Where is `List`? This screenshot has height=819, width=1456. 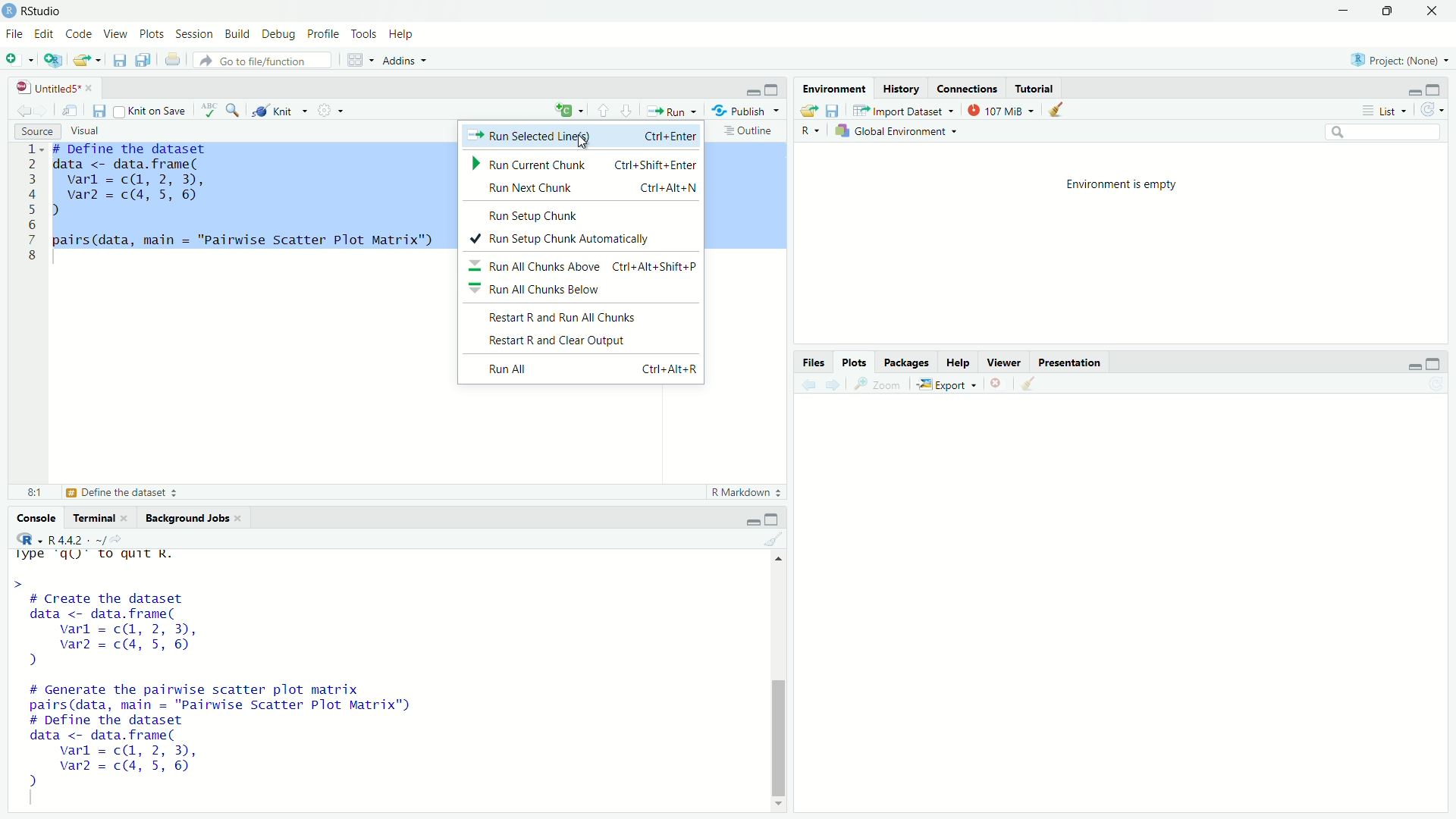 List is located at coordinates (1385, 110).